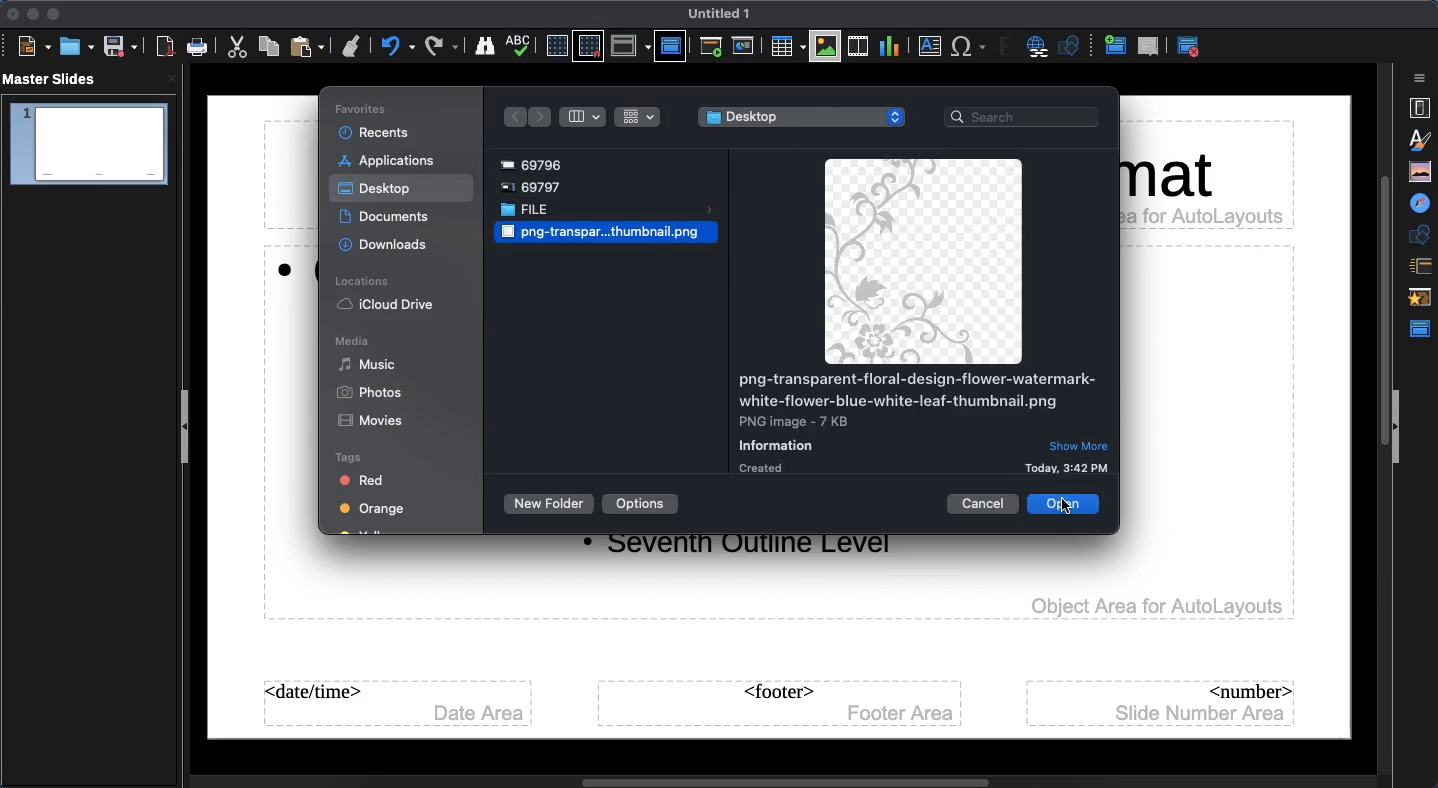  Describe the element at coordinates (1040, 48) in the screenshot. I see `Hyperlink` at that location.